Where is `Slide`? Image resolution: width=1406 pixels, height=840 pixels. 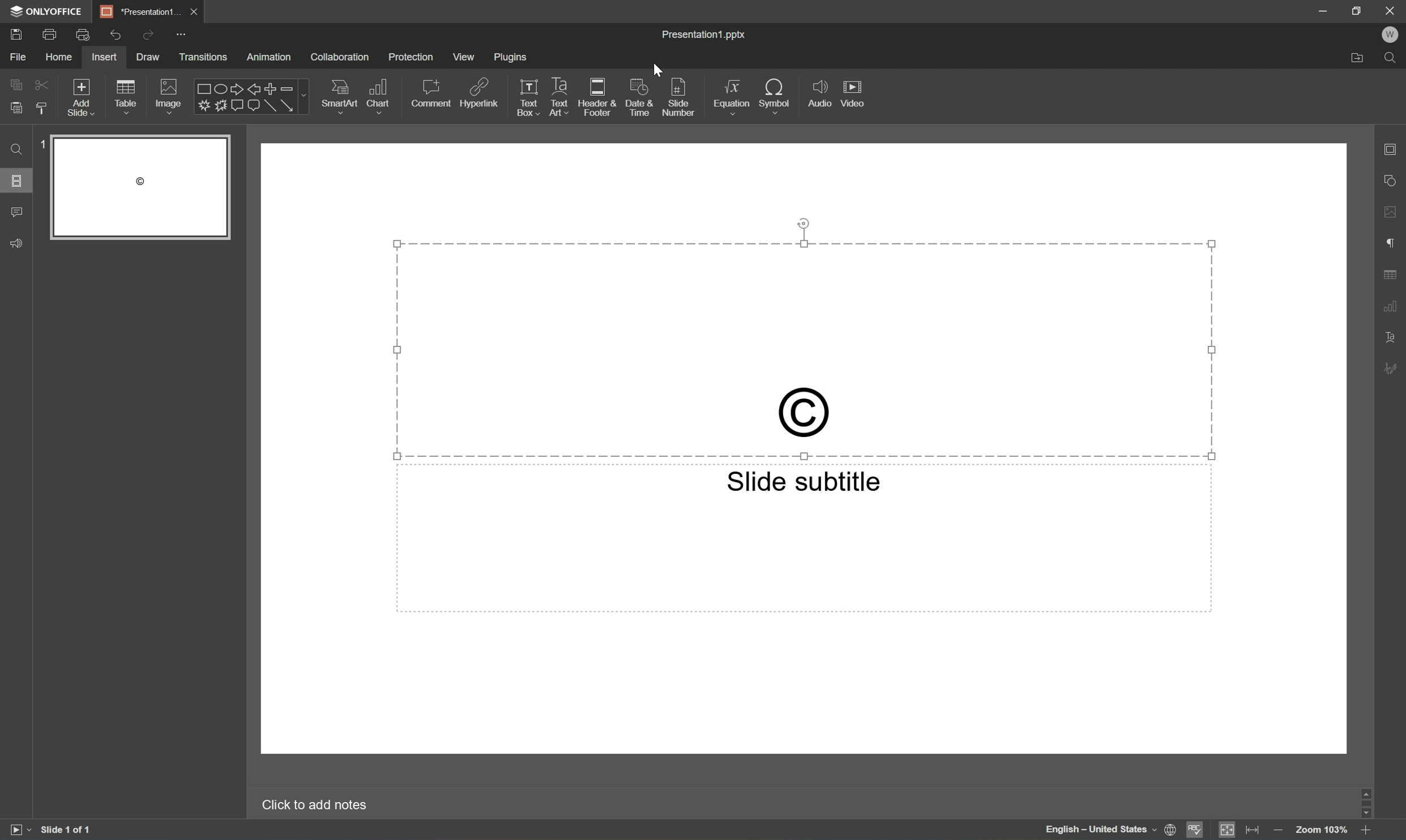
Slide is located at coordinates (140, 187).